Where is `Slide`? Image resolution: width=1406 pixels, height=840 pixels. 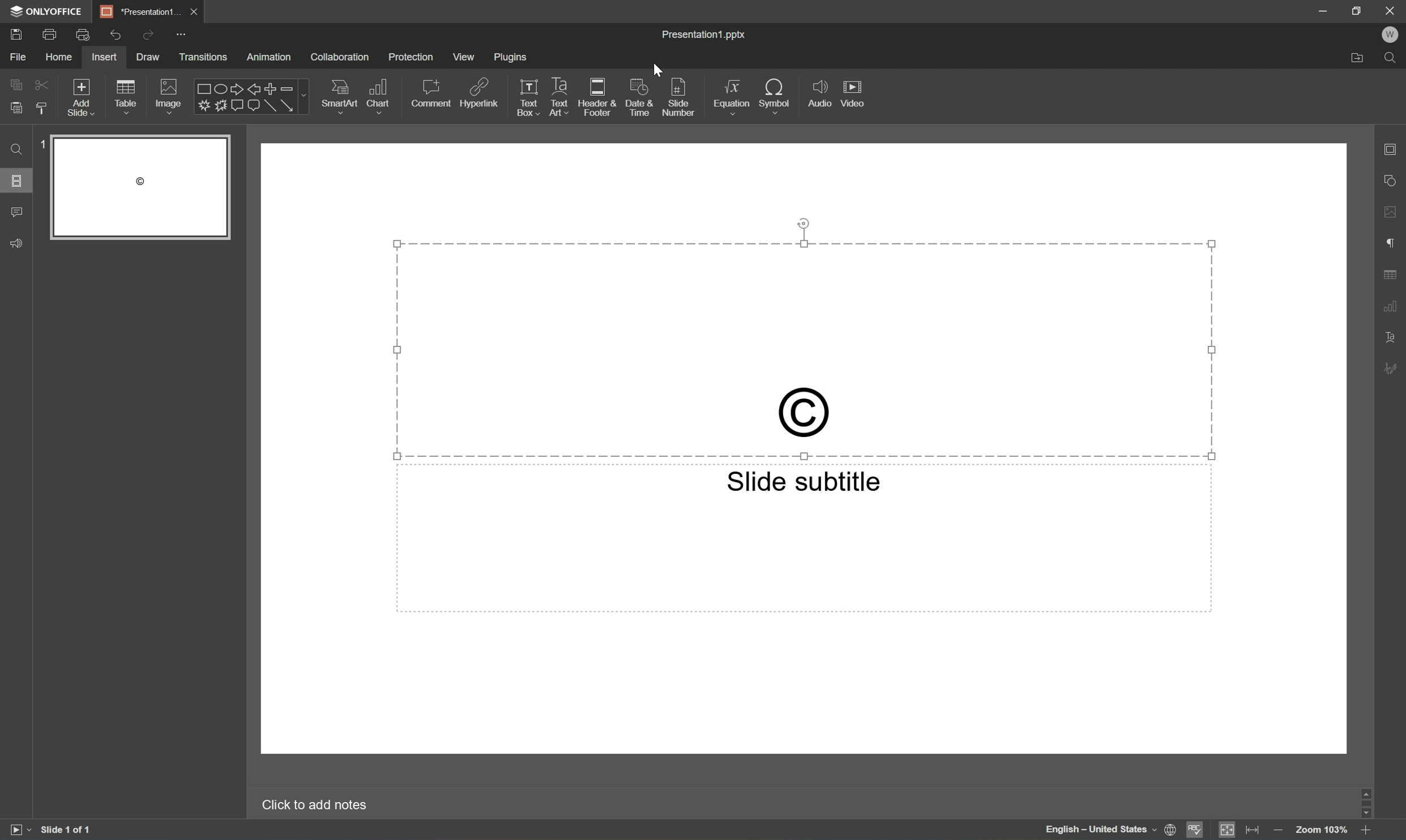
Slide is located at coordinates (140, 187).